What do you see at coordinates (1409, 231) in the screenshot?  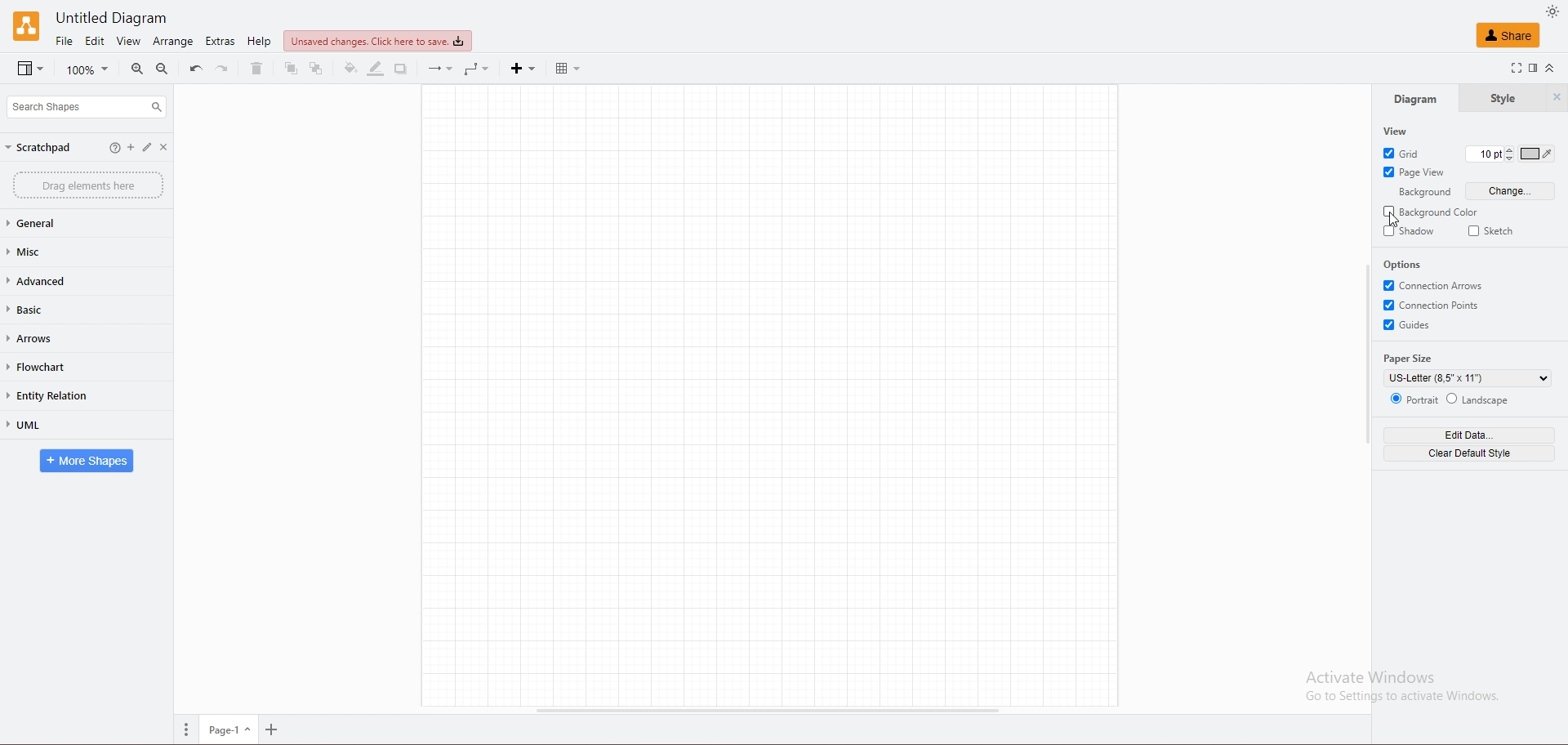 I see `shadow` at bounding box center [1409, 231].